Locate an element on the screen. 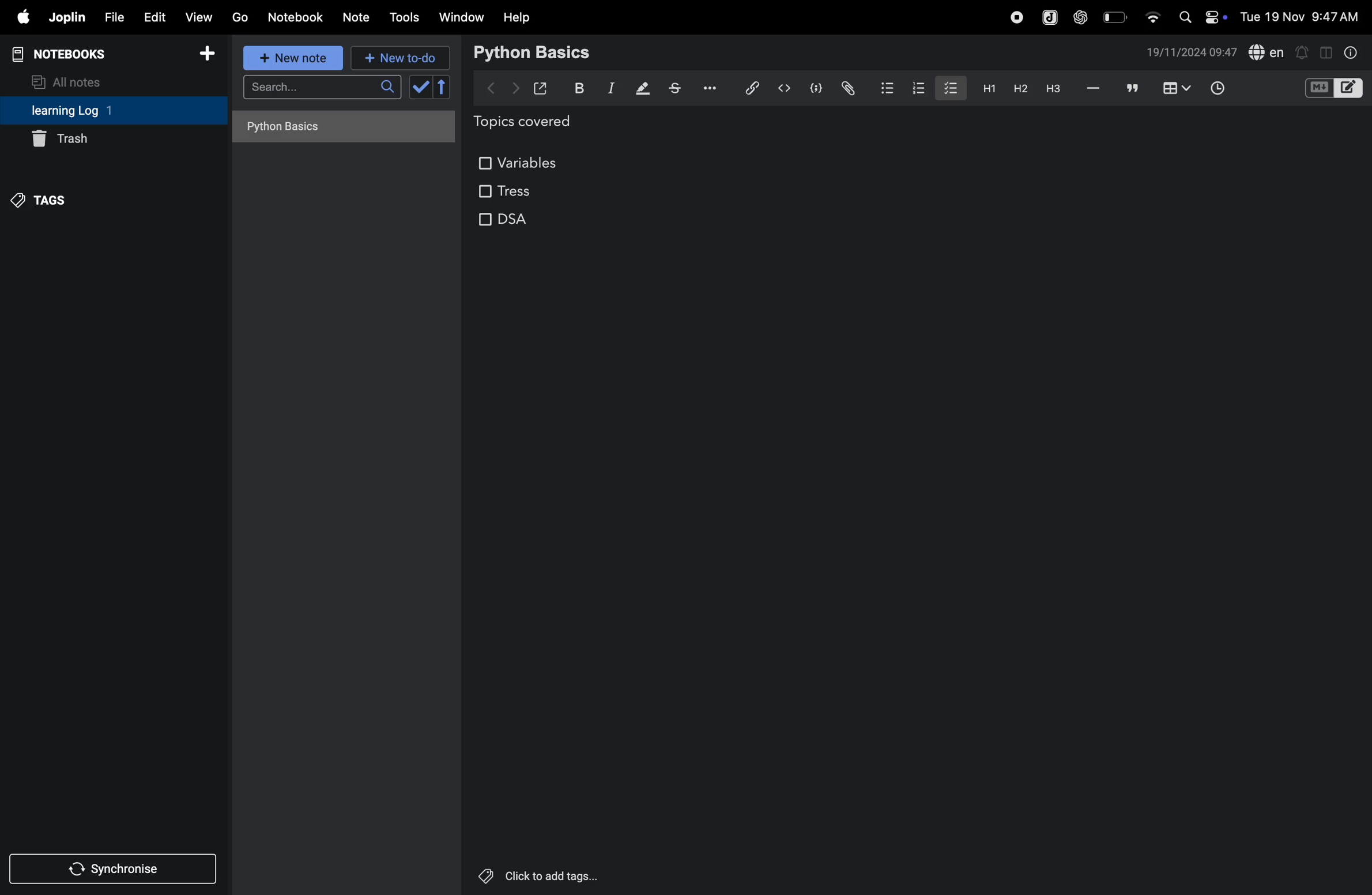 The height and width of the screenshot is (895, 1372). topics covered is located at coordinates (536, 123).